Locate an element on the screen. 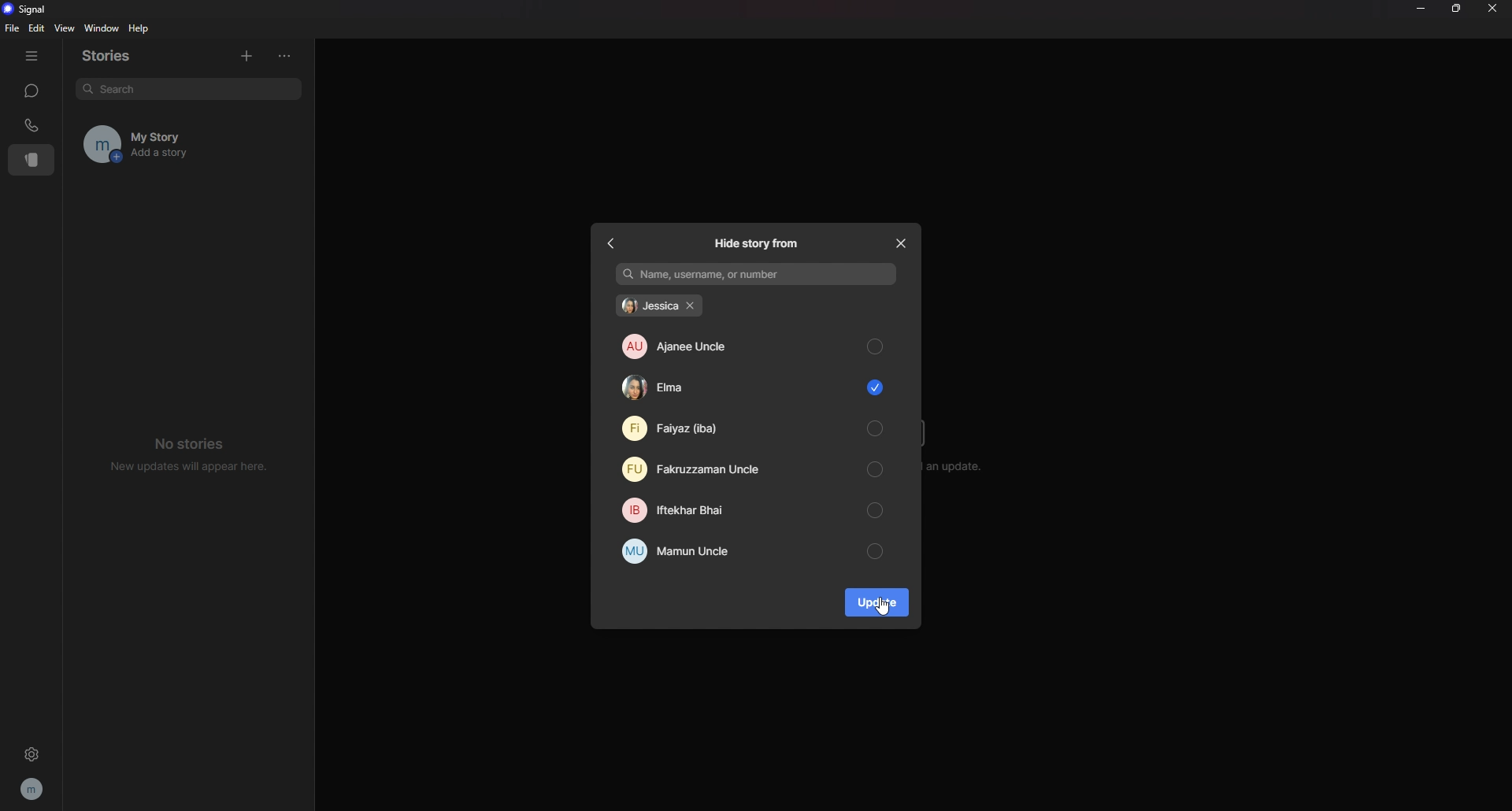 Image resolution: width=1512 pixels, height=811 pixels. name username or number is located at coordinates (755, 275).